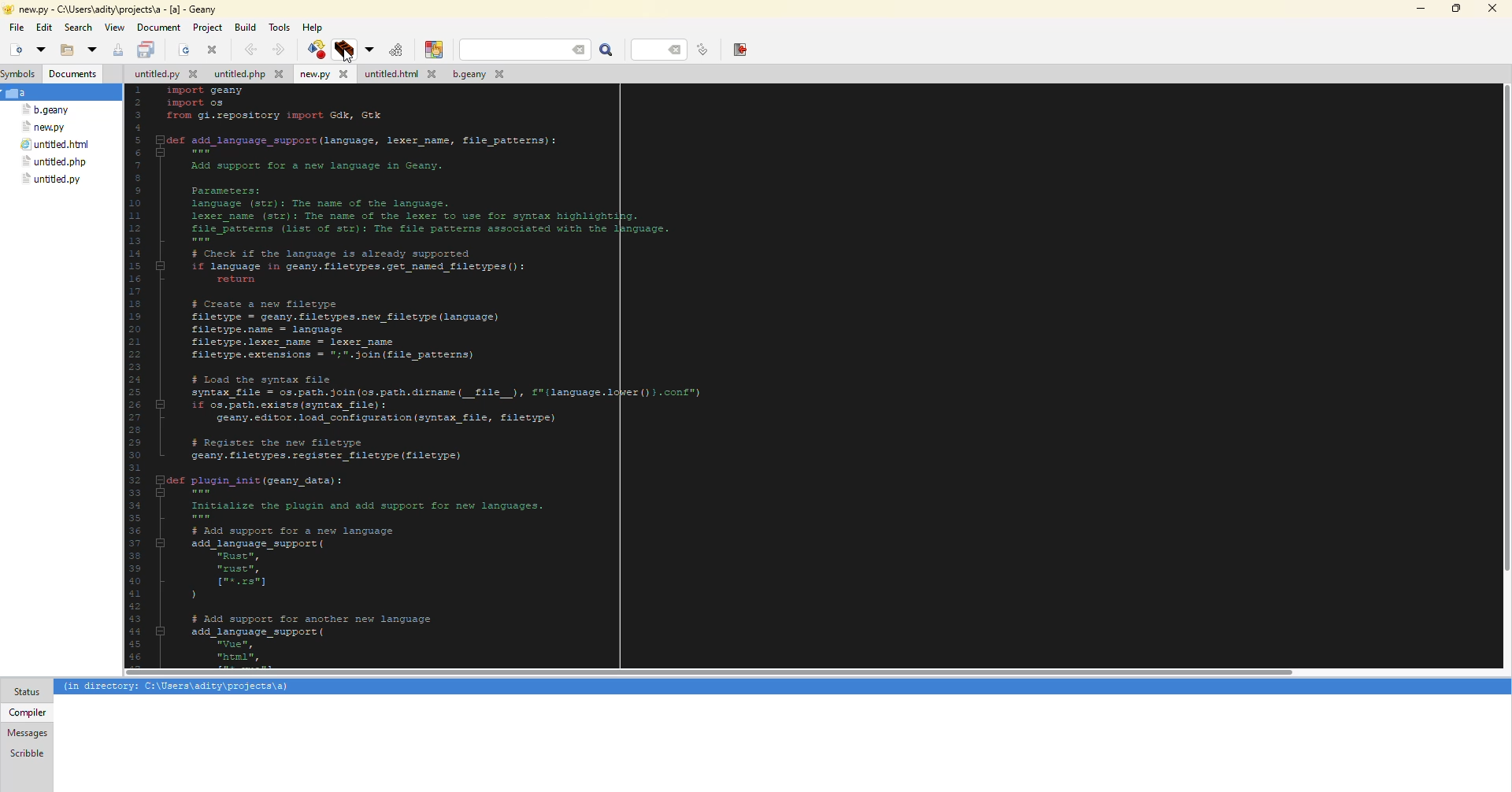 The image size is (1512, 792). I want to click on file, so click(398, 74).